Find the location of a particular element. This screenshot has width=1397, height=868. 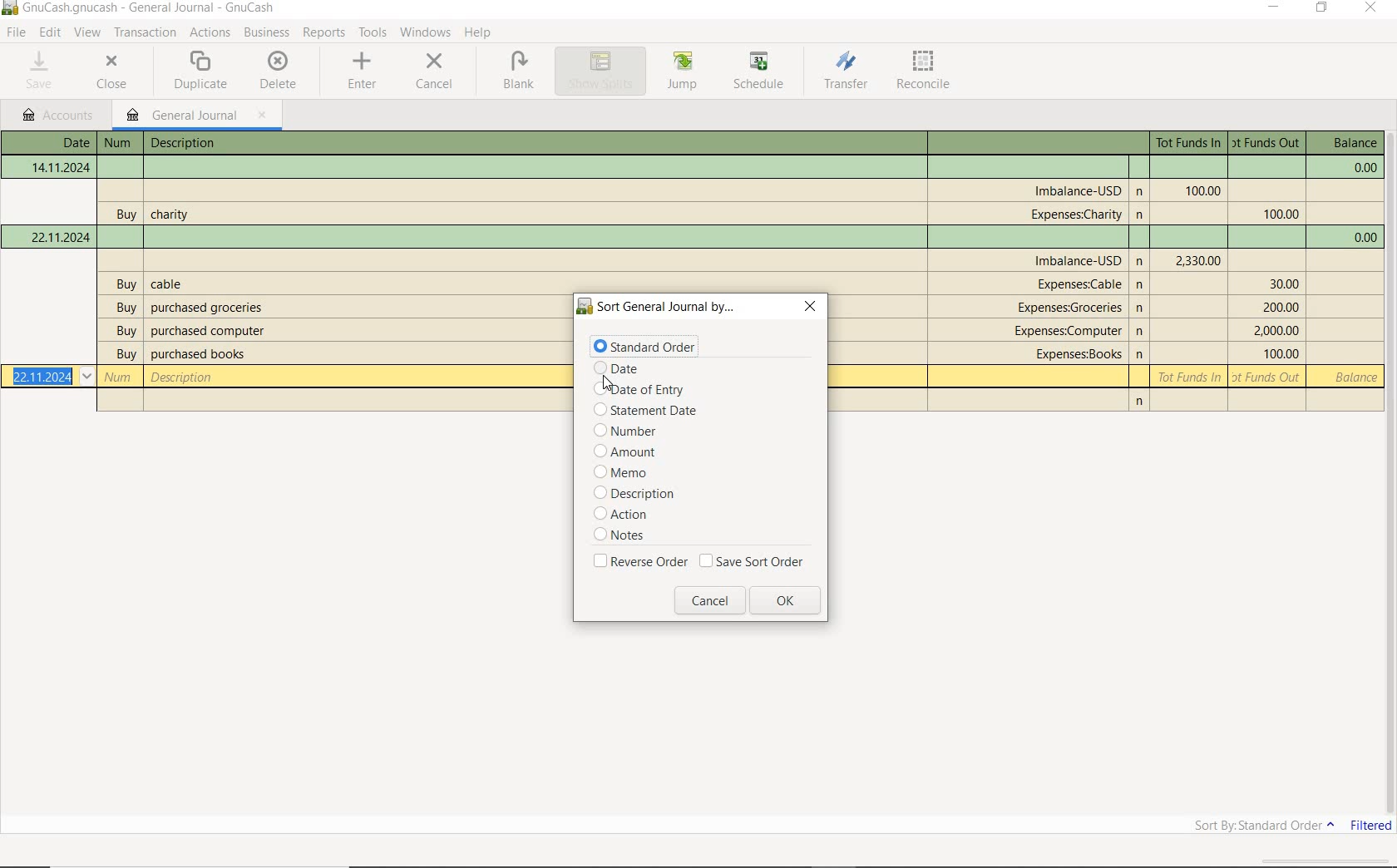

REPORTS is located at coordinates (325, 33).